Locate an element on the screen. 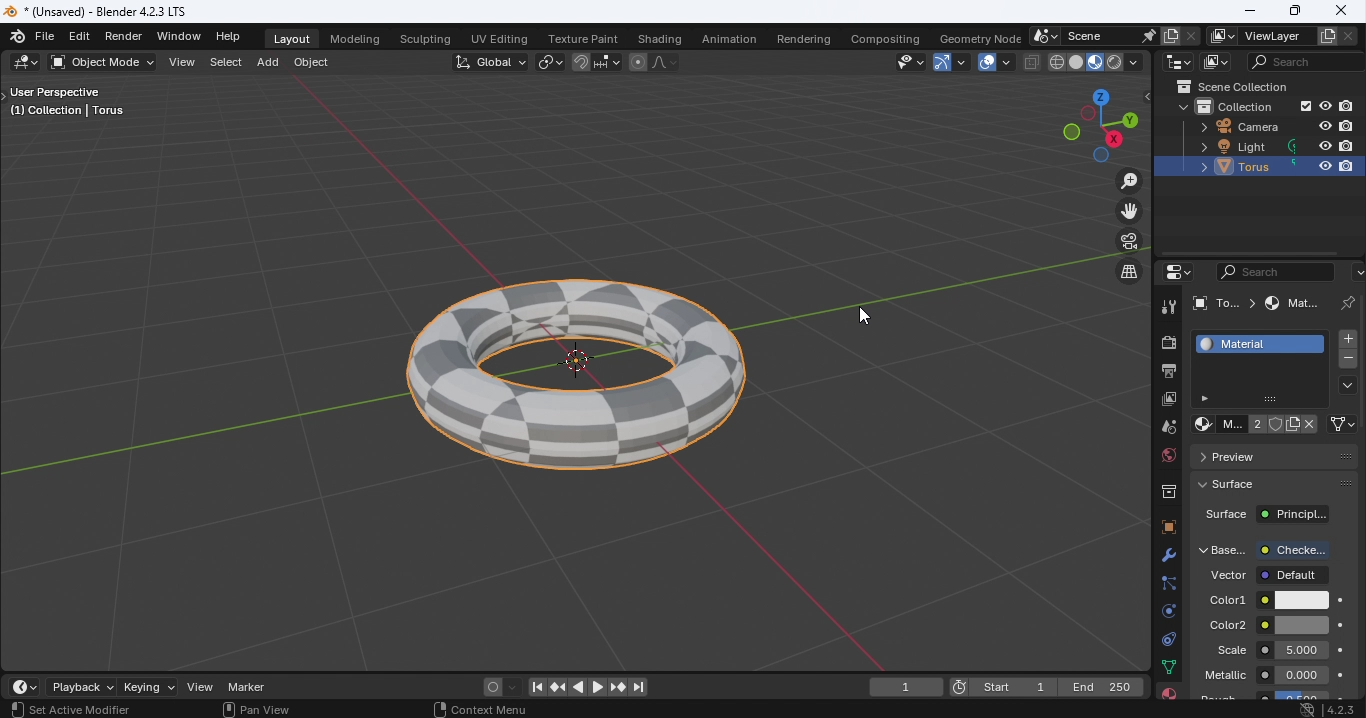  Object is located at coordinates (1167, 525).